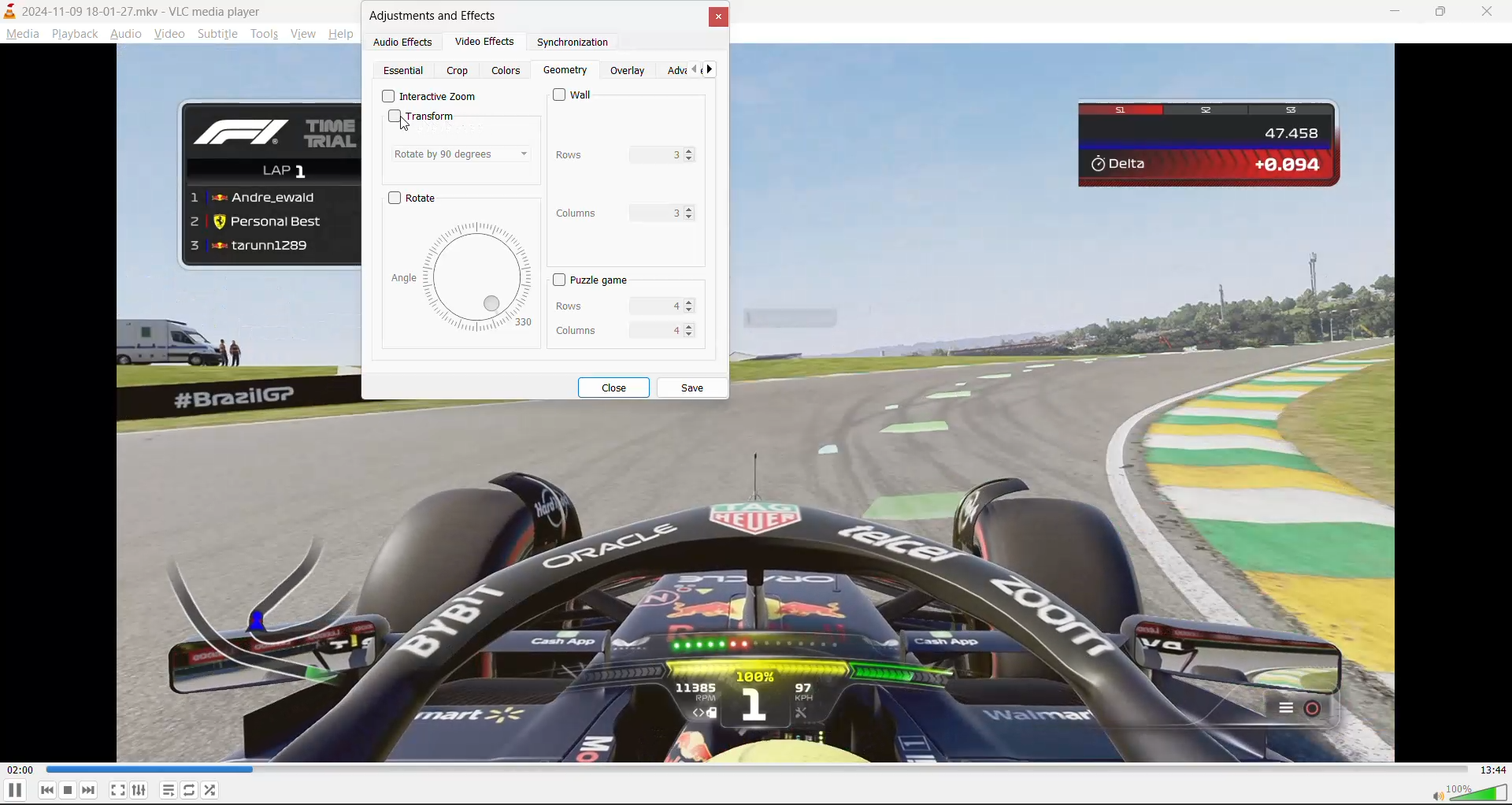 The image size is (1512, 805). What do you see at coordinates (405, 70) in the screenshot?
I see `Essential` at bounding box center [405, 70].